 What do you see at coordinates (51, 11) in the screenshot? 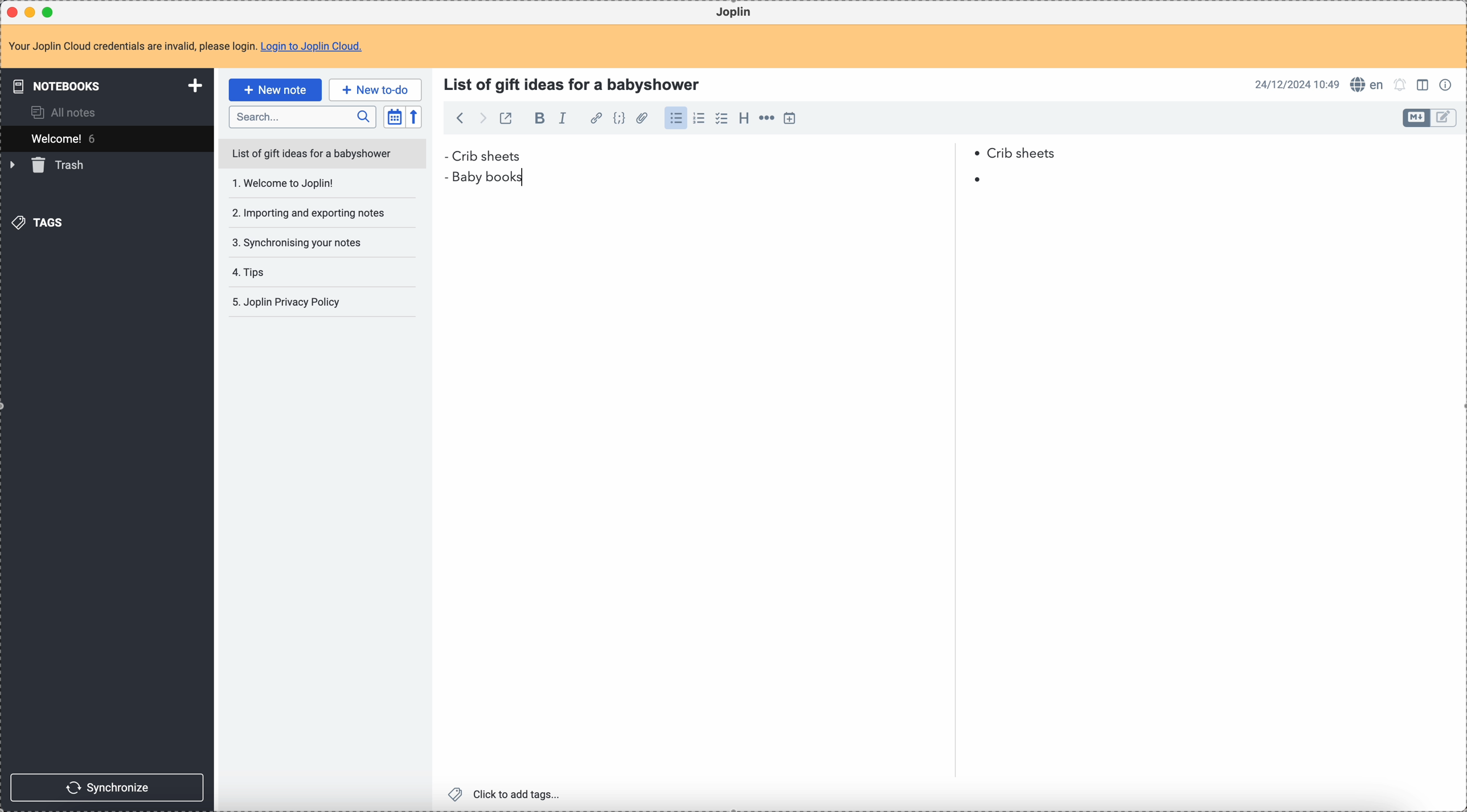
I see `maximize Joplin` at bounding box center [51, 11].